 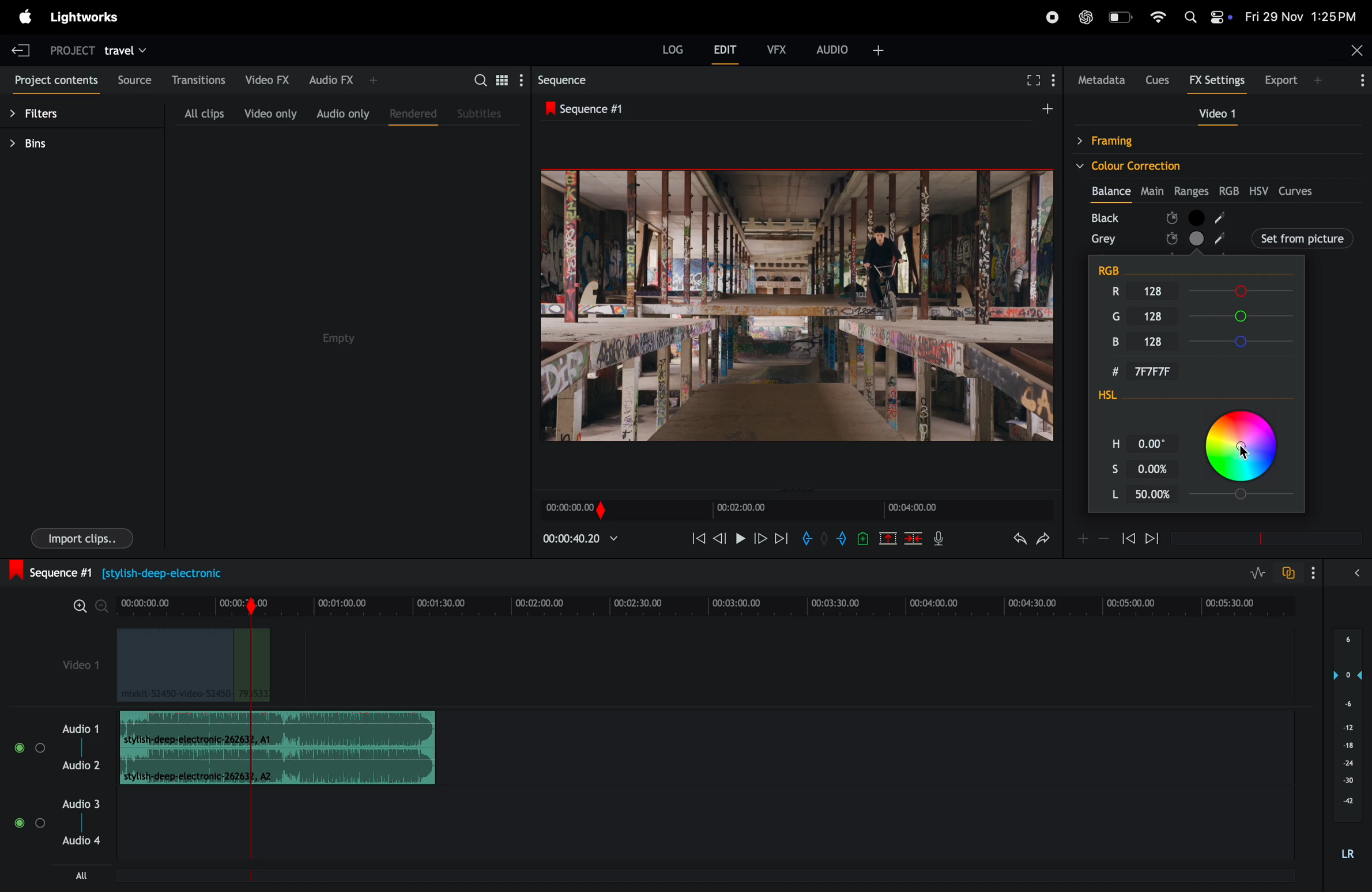 I want to click on audio only, so click(x=341, y=112).